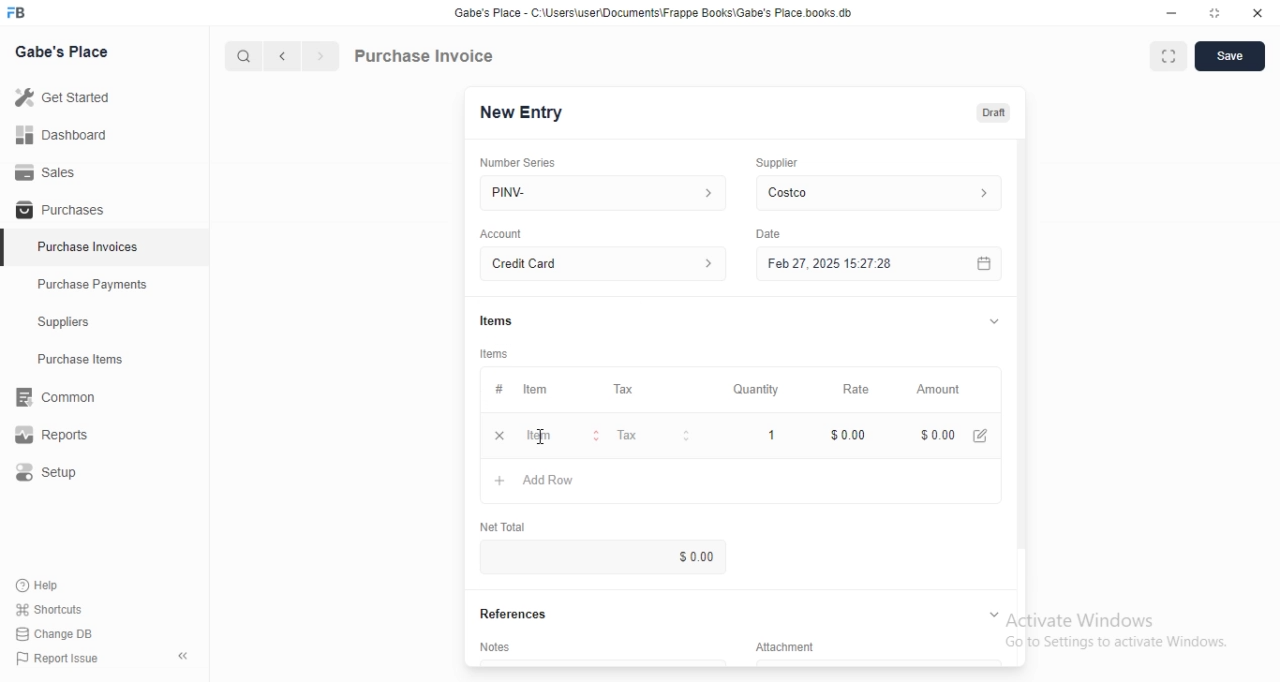  I want to click on Next, so click(322, 56).